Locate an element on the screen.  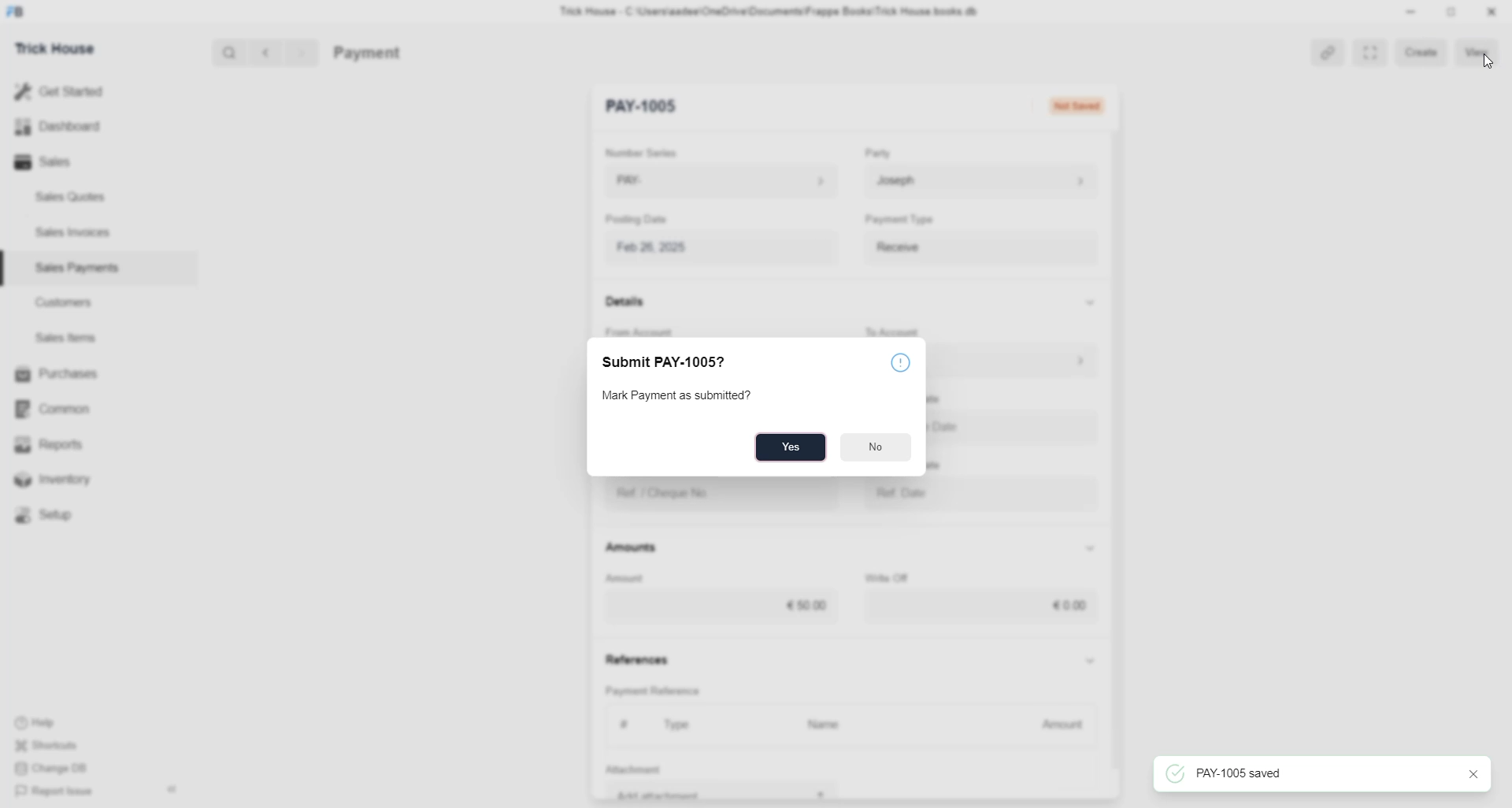
Payment Type is located at coordinates (899, 218).